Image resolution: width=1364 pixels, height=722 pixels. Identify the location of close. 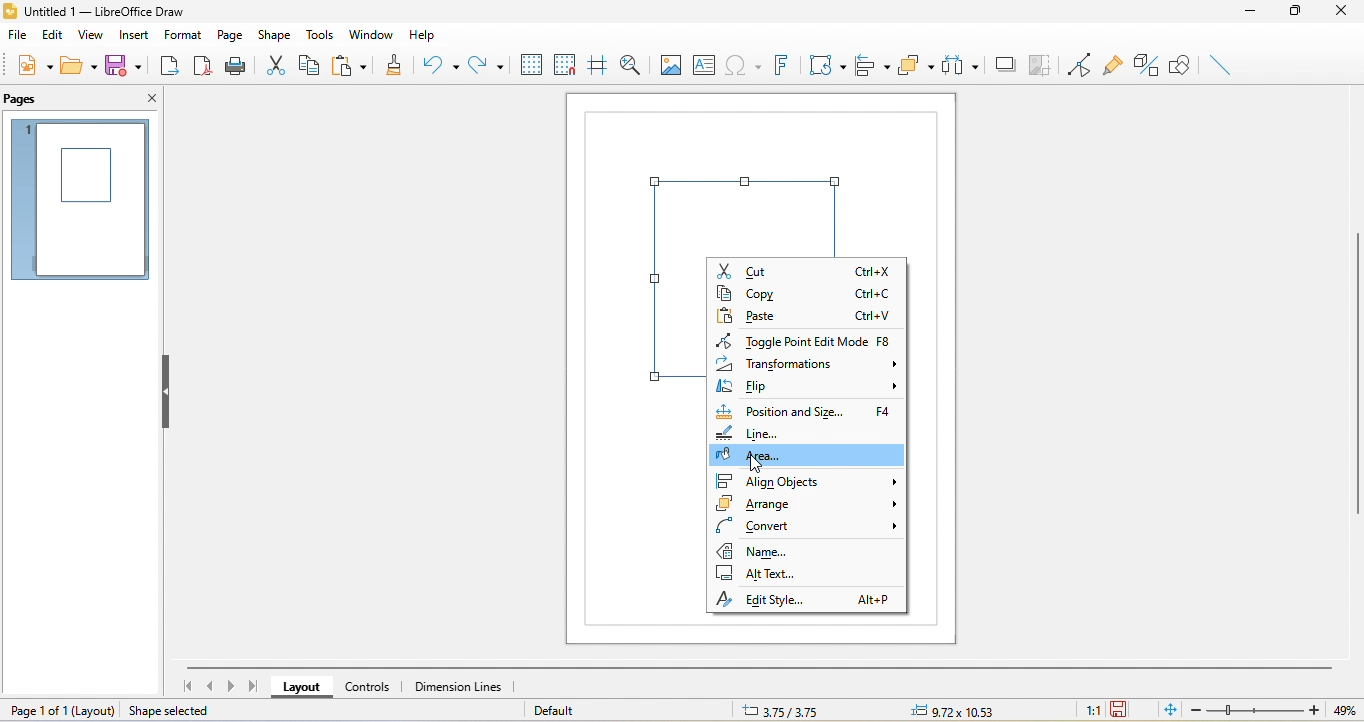
(146, 100).